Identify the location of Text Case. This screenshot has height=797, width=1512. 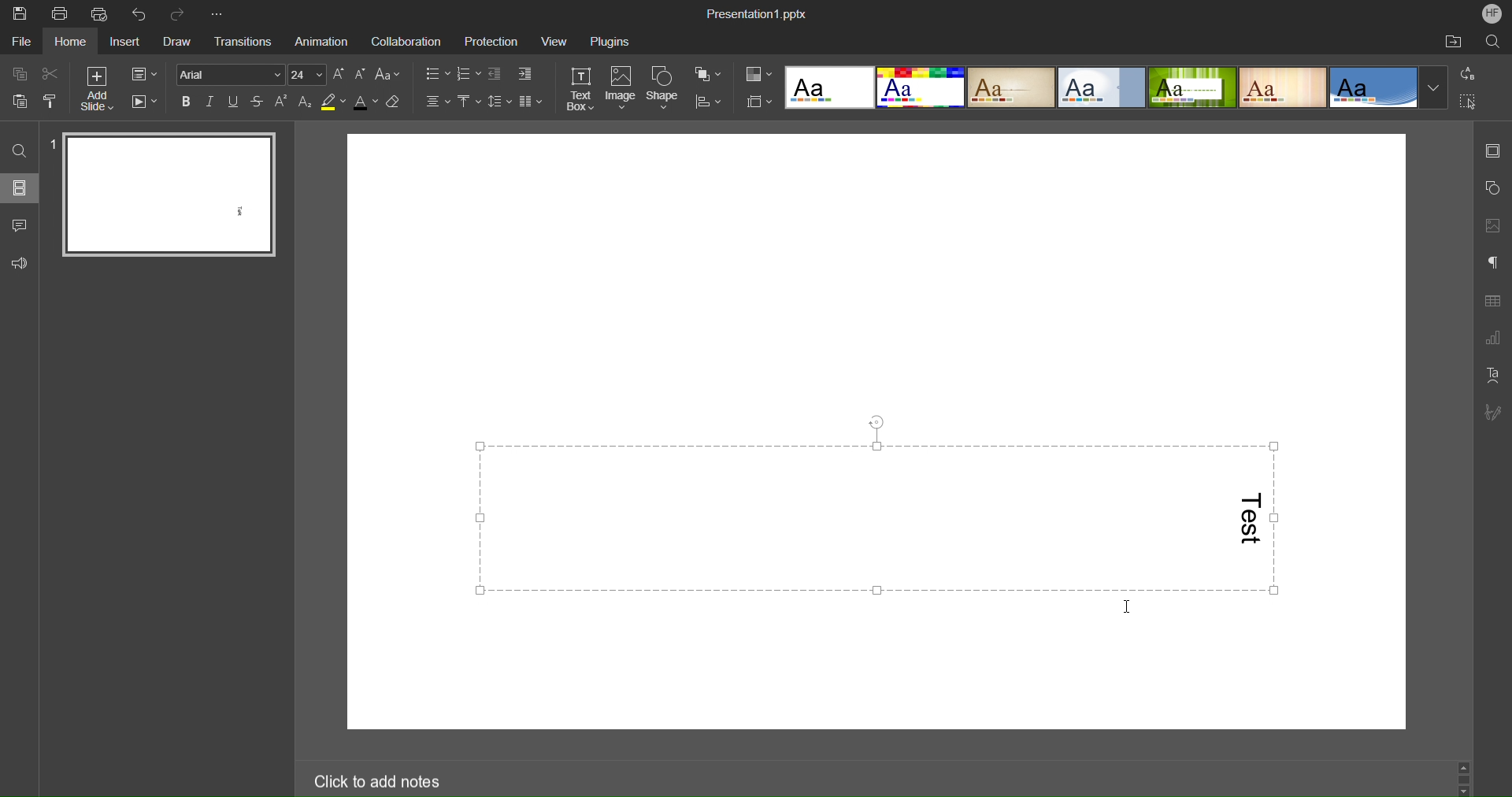
(389, 74).